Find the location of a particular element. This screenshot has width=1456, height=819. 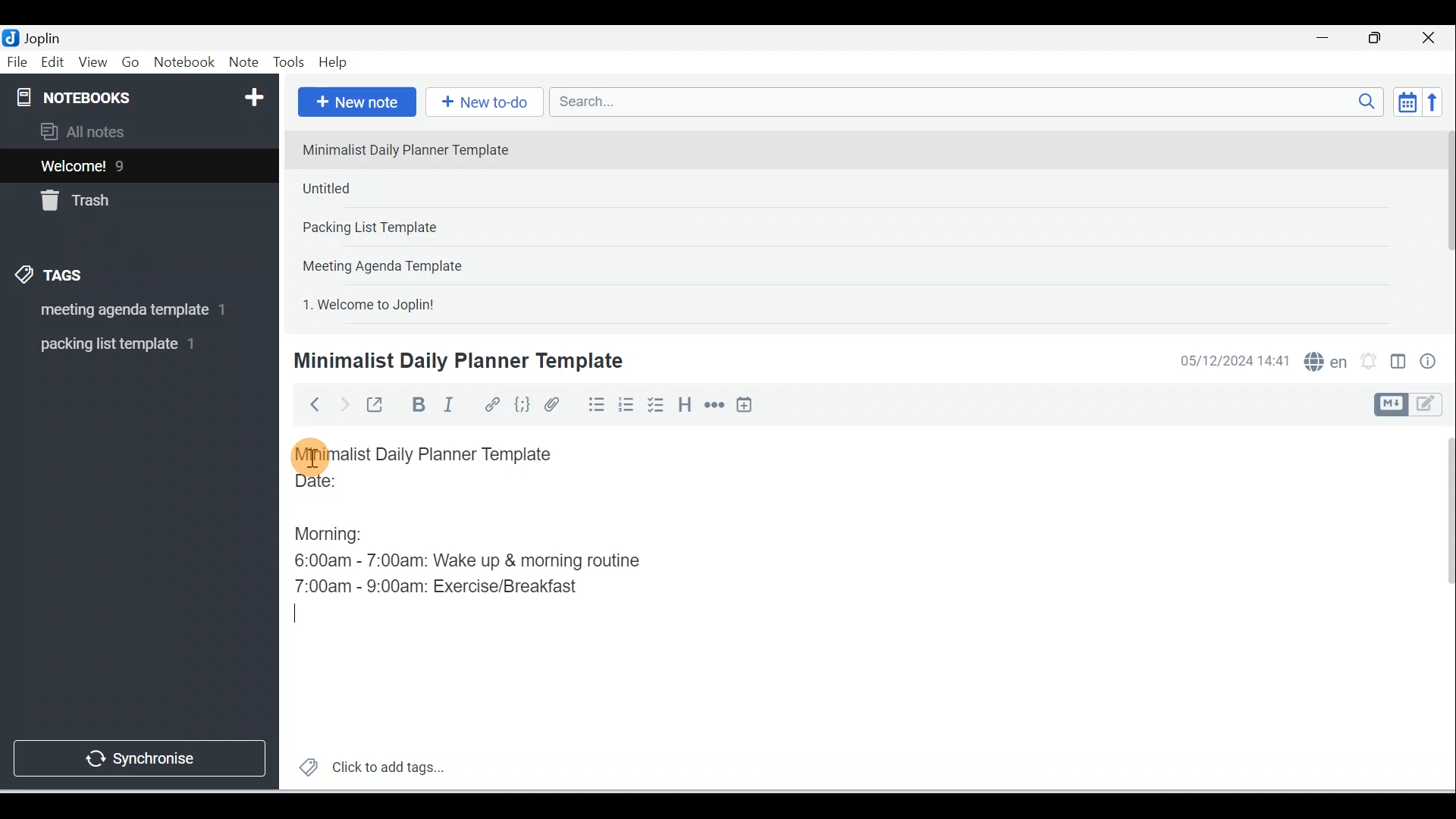

Hyperlink is located at coordinates (491, 406).